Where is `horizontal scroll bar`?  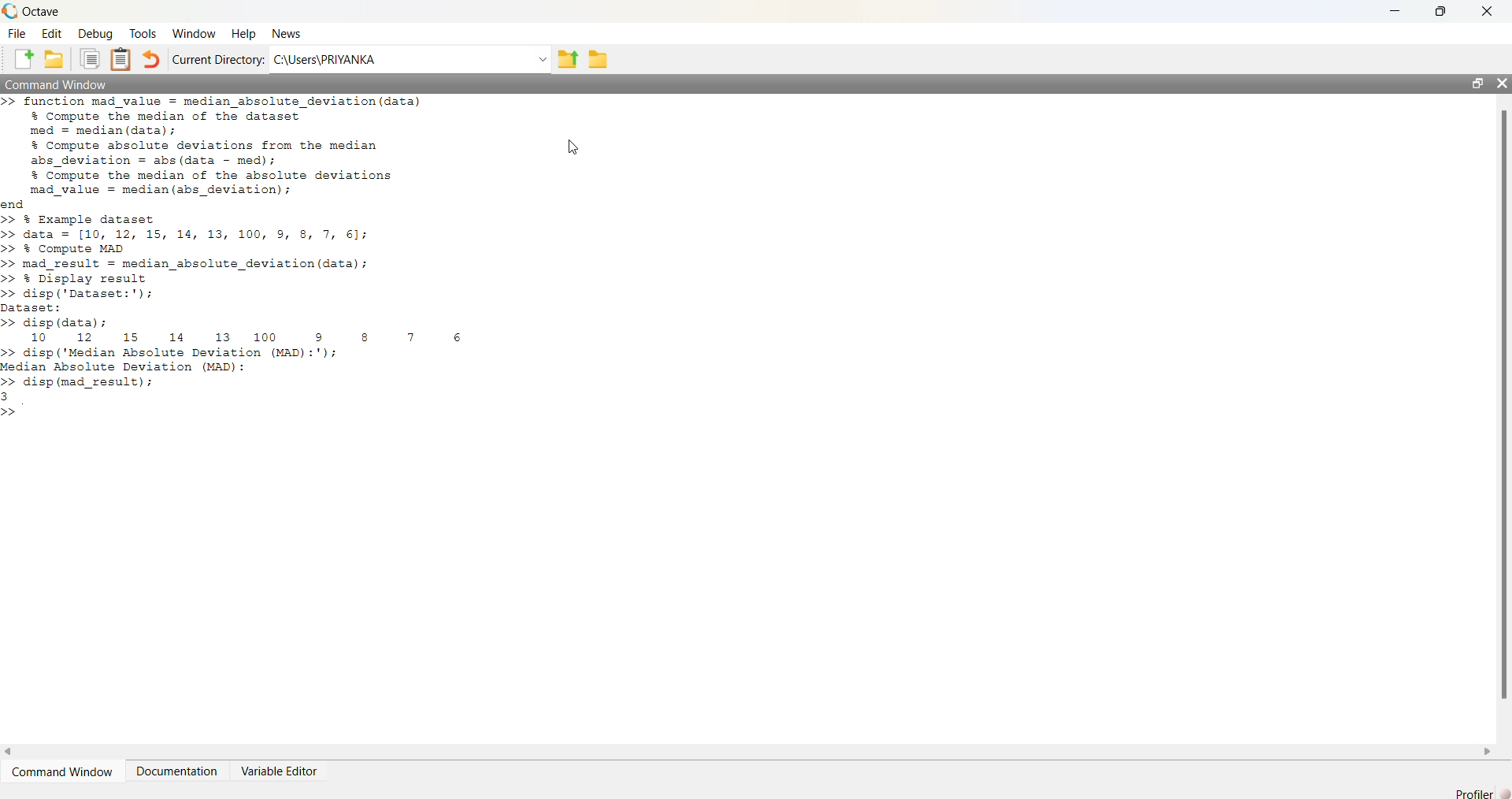 horizontal scroll bar is located at coordinates (750, 752).